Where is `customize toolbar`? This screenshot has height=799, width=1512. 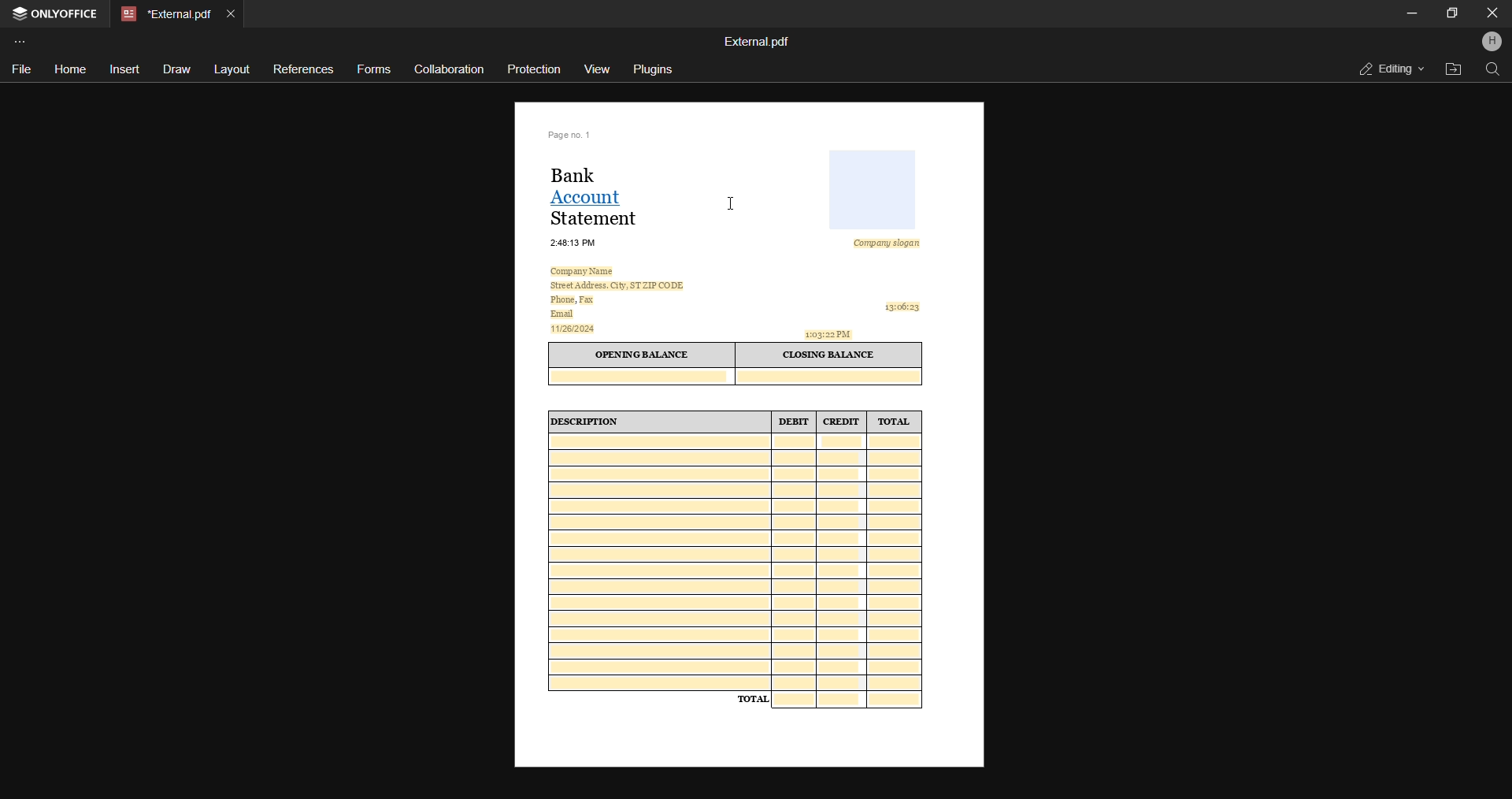 customize toolbar is located at coordinates (22, 41).